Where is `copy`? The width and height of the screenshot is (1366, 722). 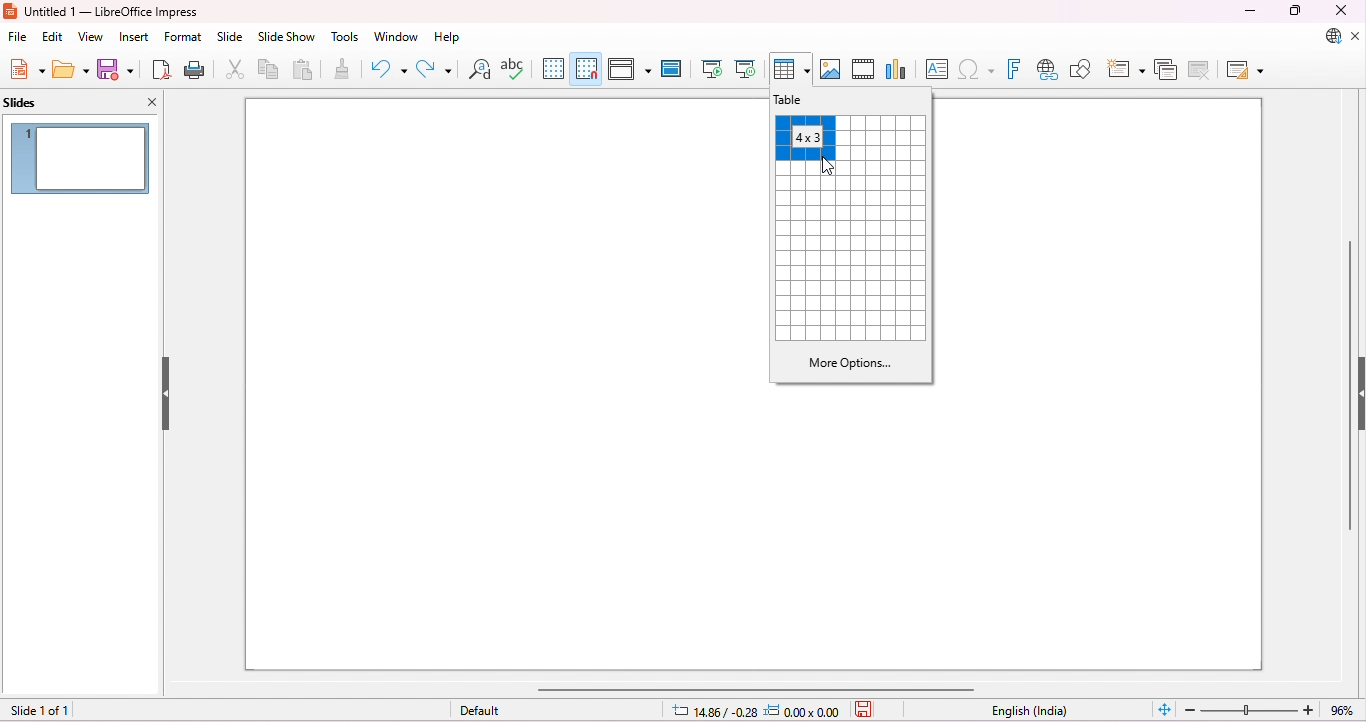
copy is located at coordinates (270, 71).